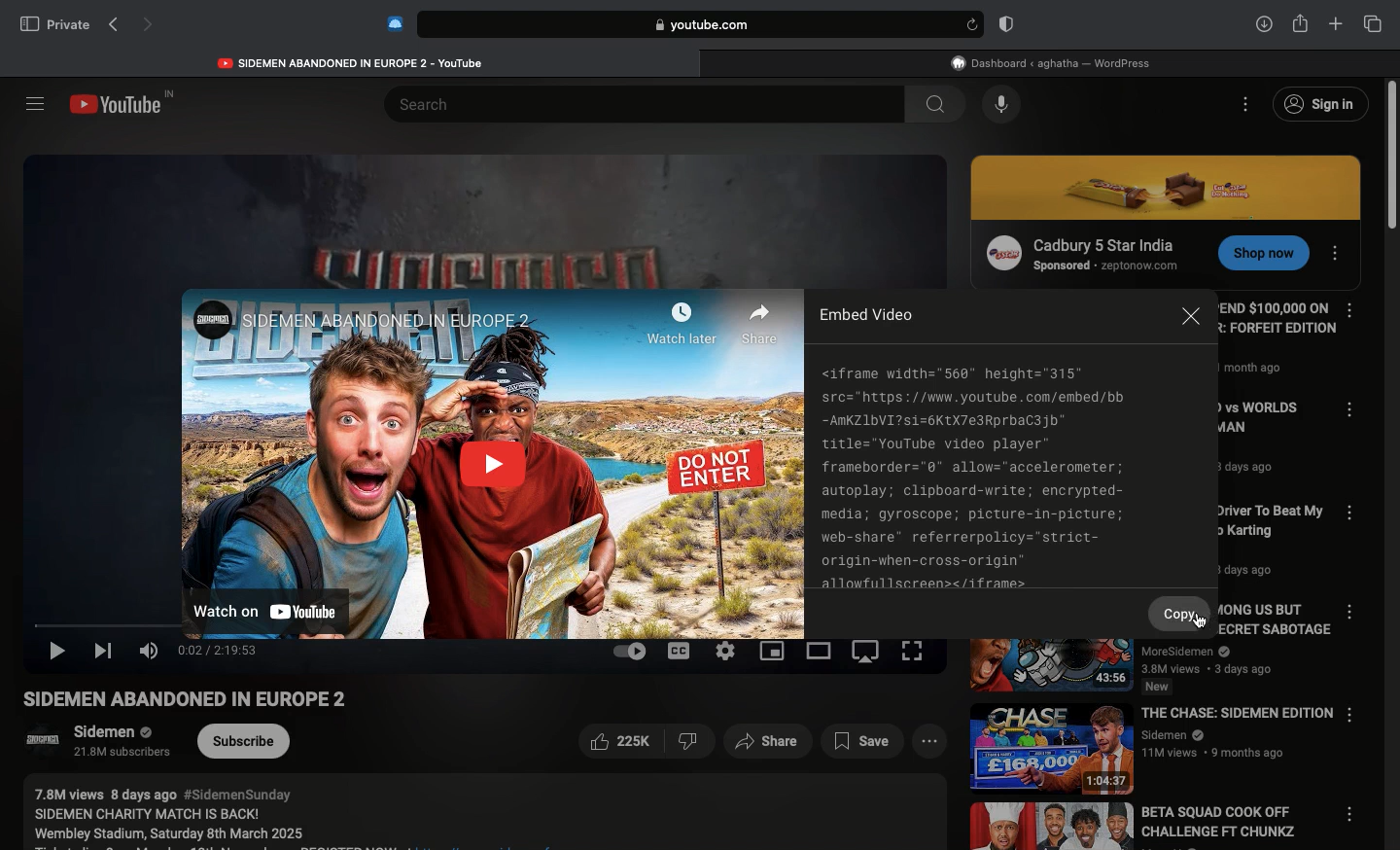  I want to click on Downlaods, so click(1261, 25).